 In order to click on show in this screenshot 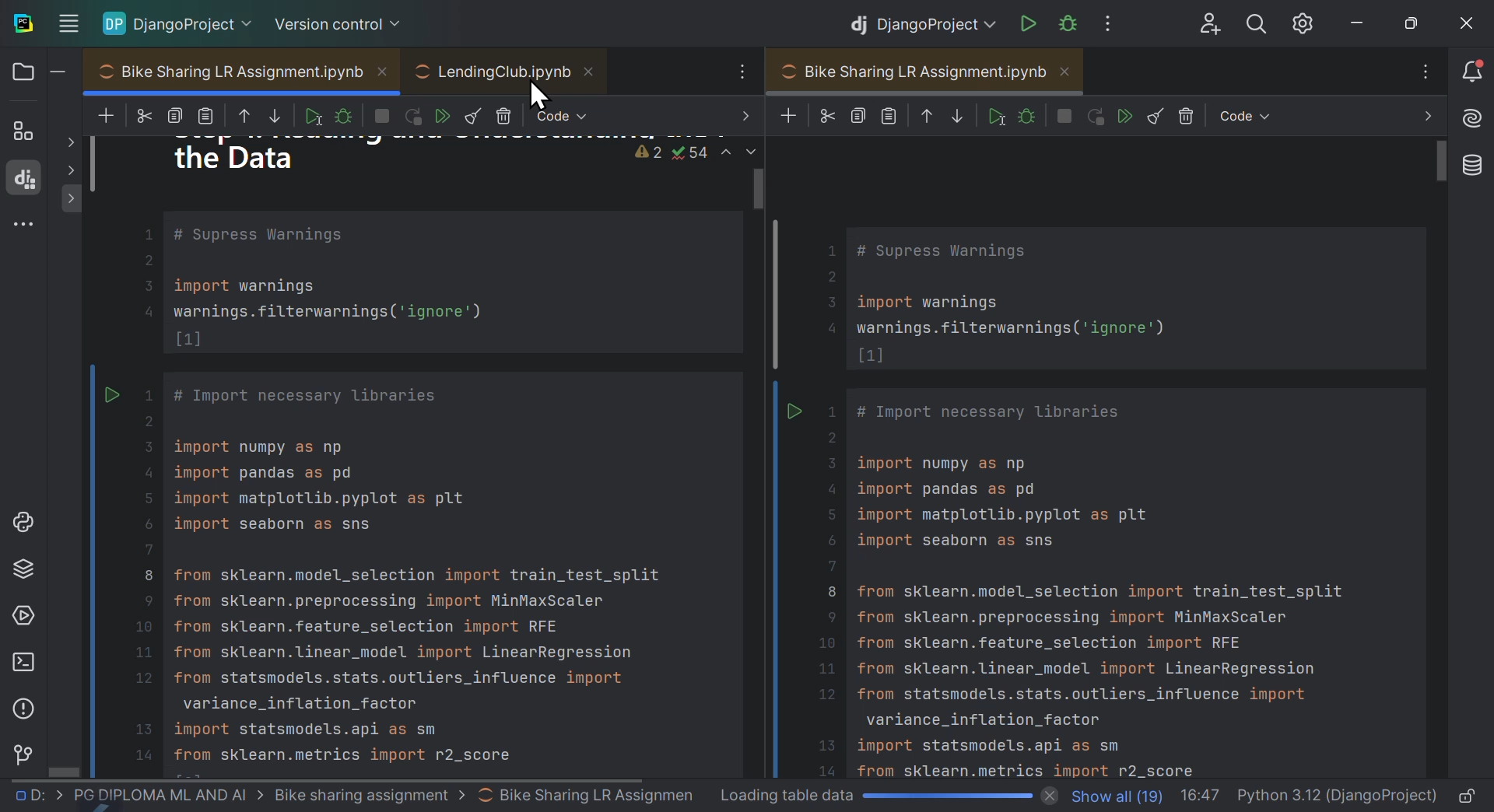, I will do `click(72, 197)`.